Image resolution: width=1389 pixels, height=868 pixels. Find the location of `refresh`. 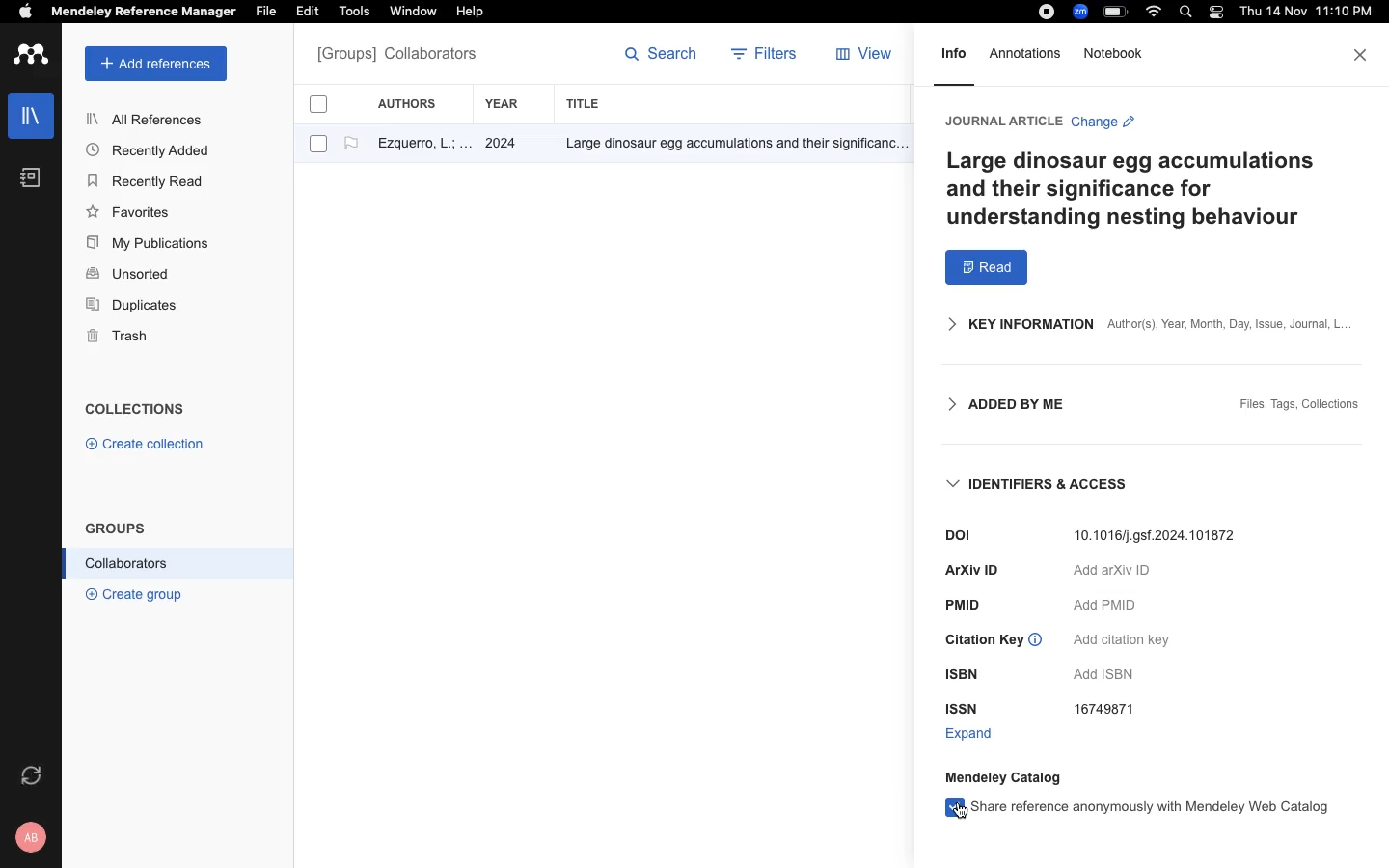

refresh is located at coordinates (34, 775).